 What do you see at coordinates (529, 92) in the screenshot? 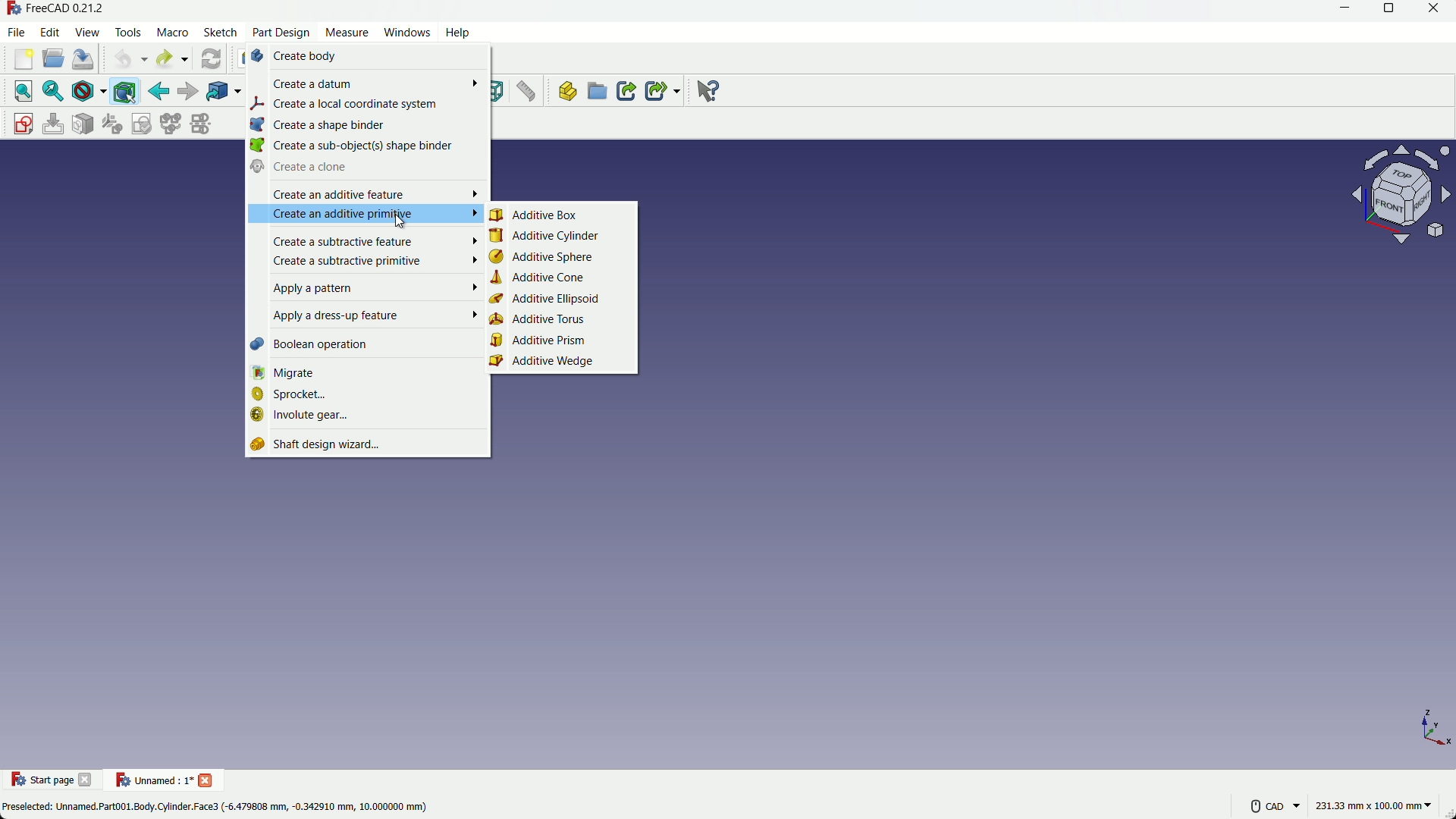
I see `` at bounding box center [529, 92].